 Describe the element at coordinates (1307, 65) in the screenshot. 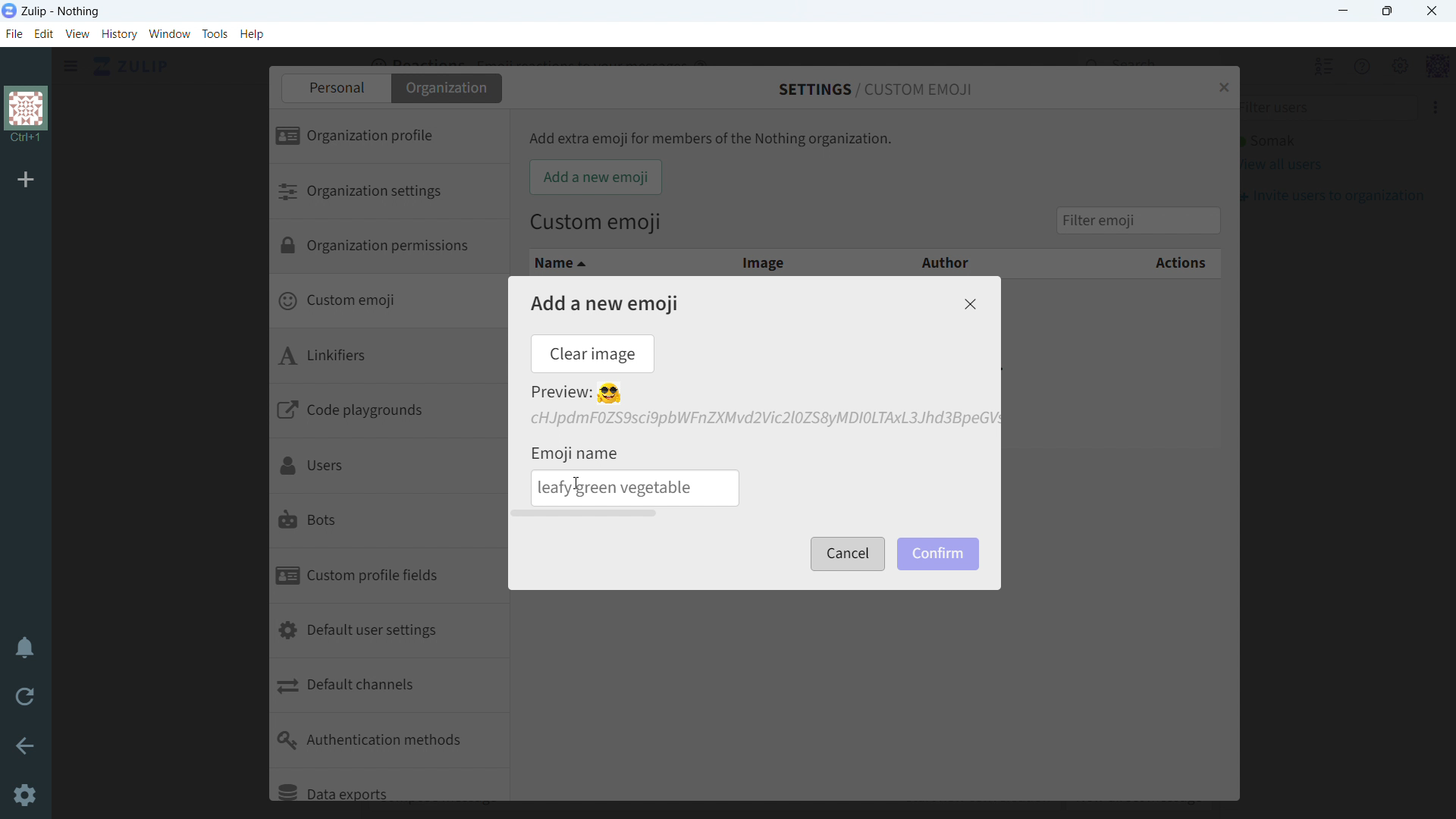

I see `hide user list` at that location.